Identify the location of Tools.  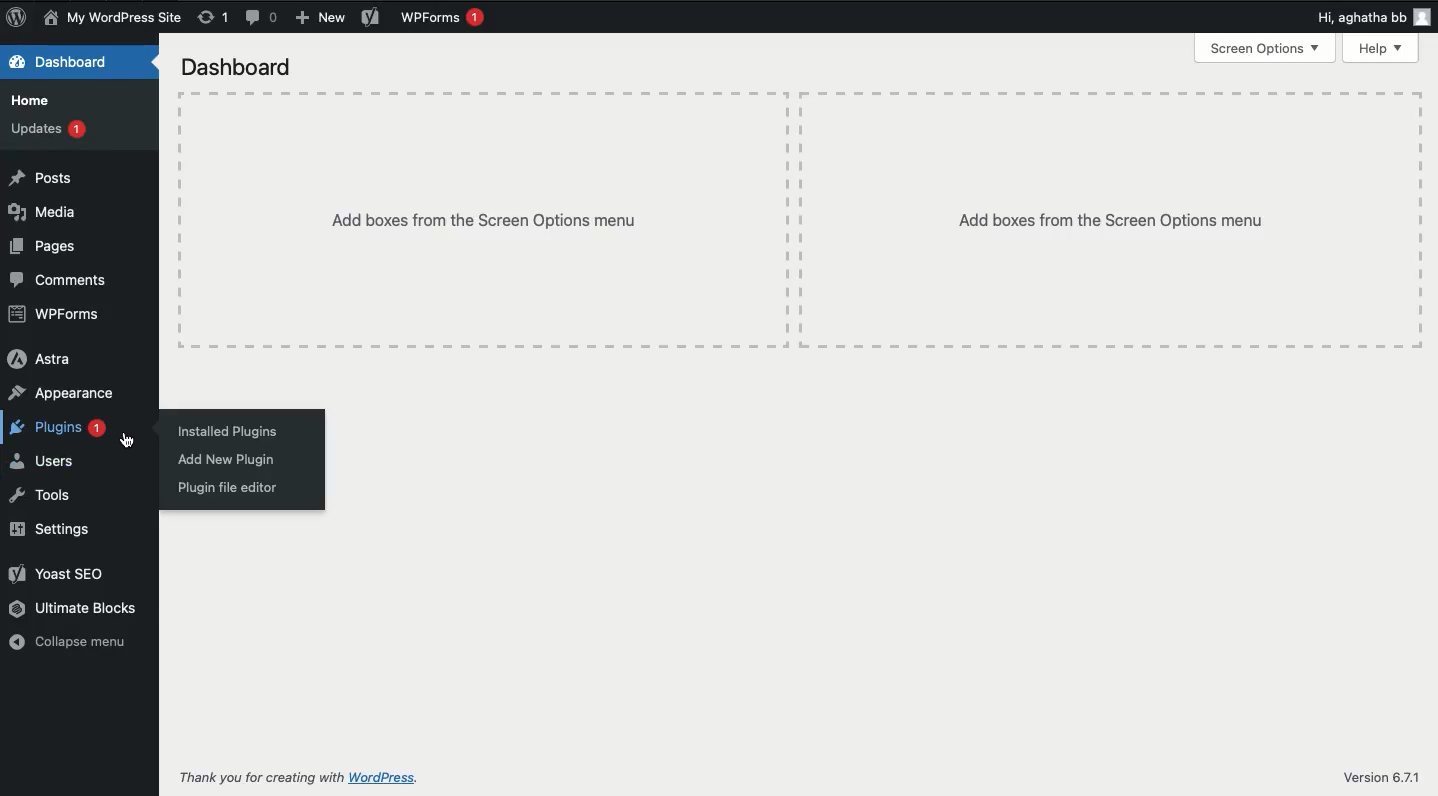
(46, 496).